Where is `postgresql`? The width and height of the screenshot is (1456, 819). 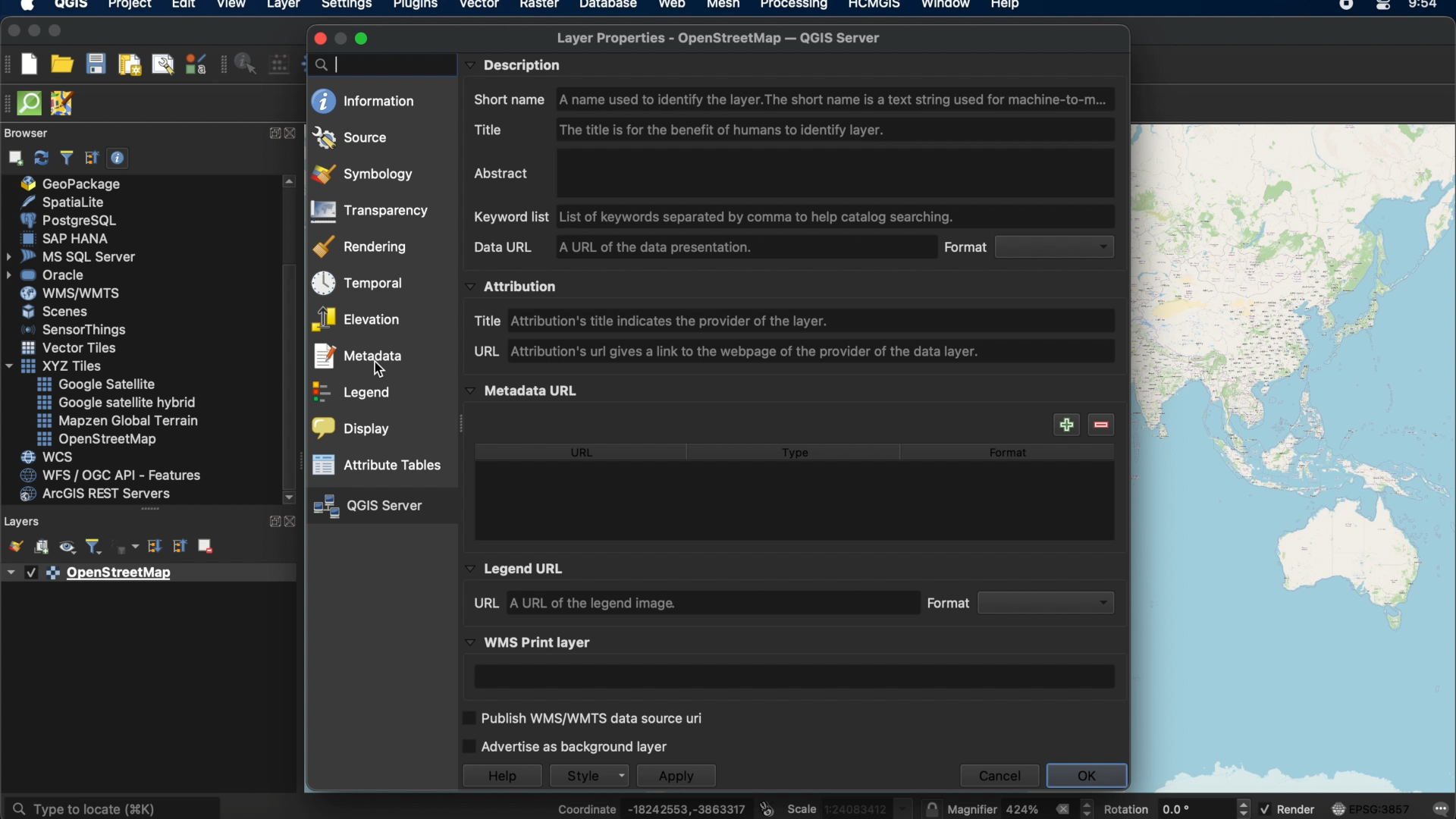 postgresql is located at coordinates (67, 219).